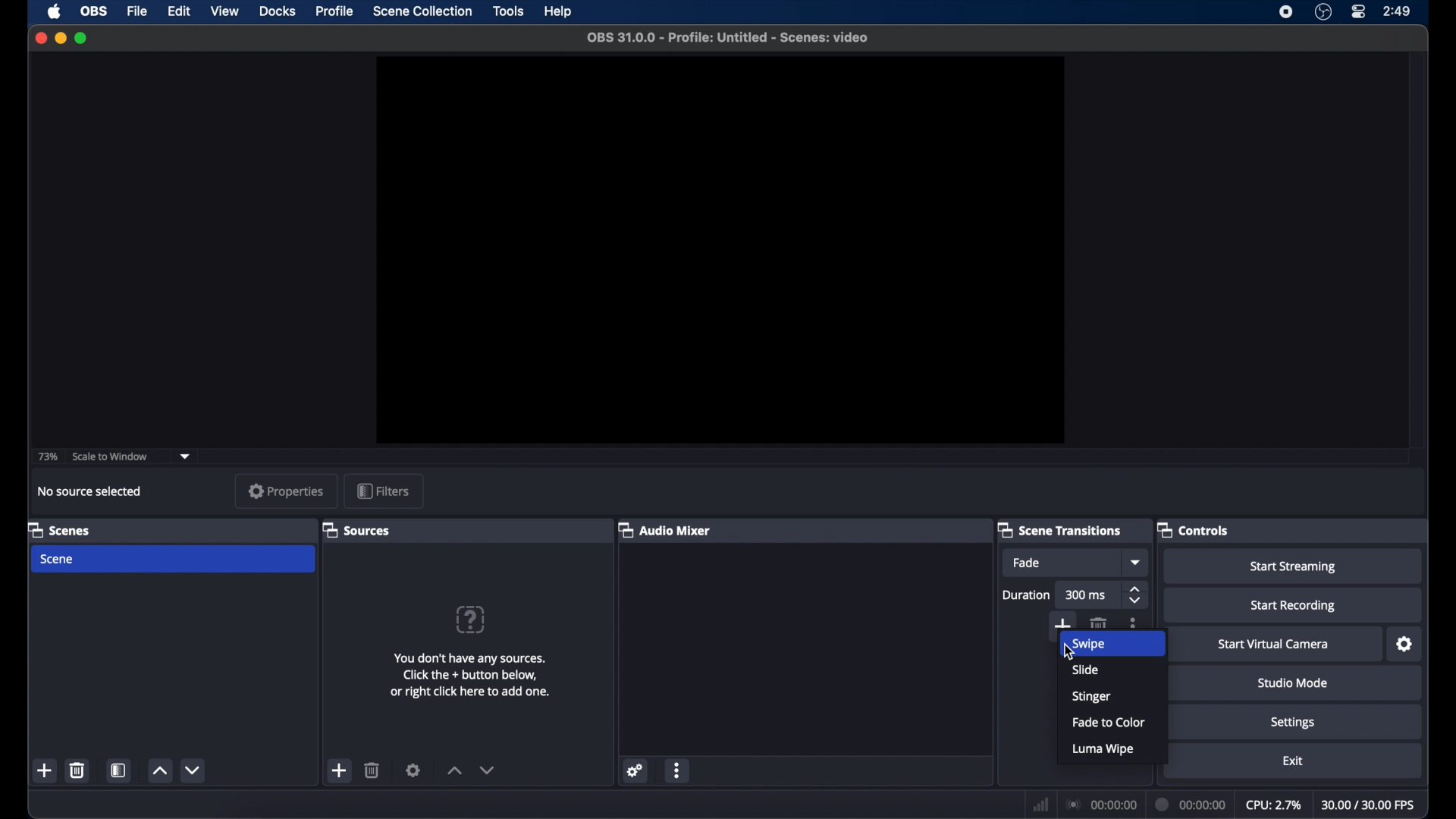 Image resolution: width=1456 pixels, height=819 pixels. Describe the element at coordinates (422, 11) in the screenshot. I see `scene collection` at that location.